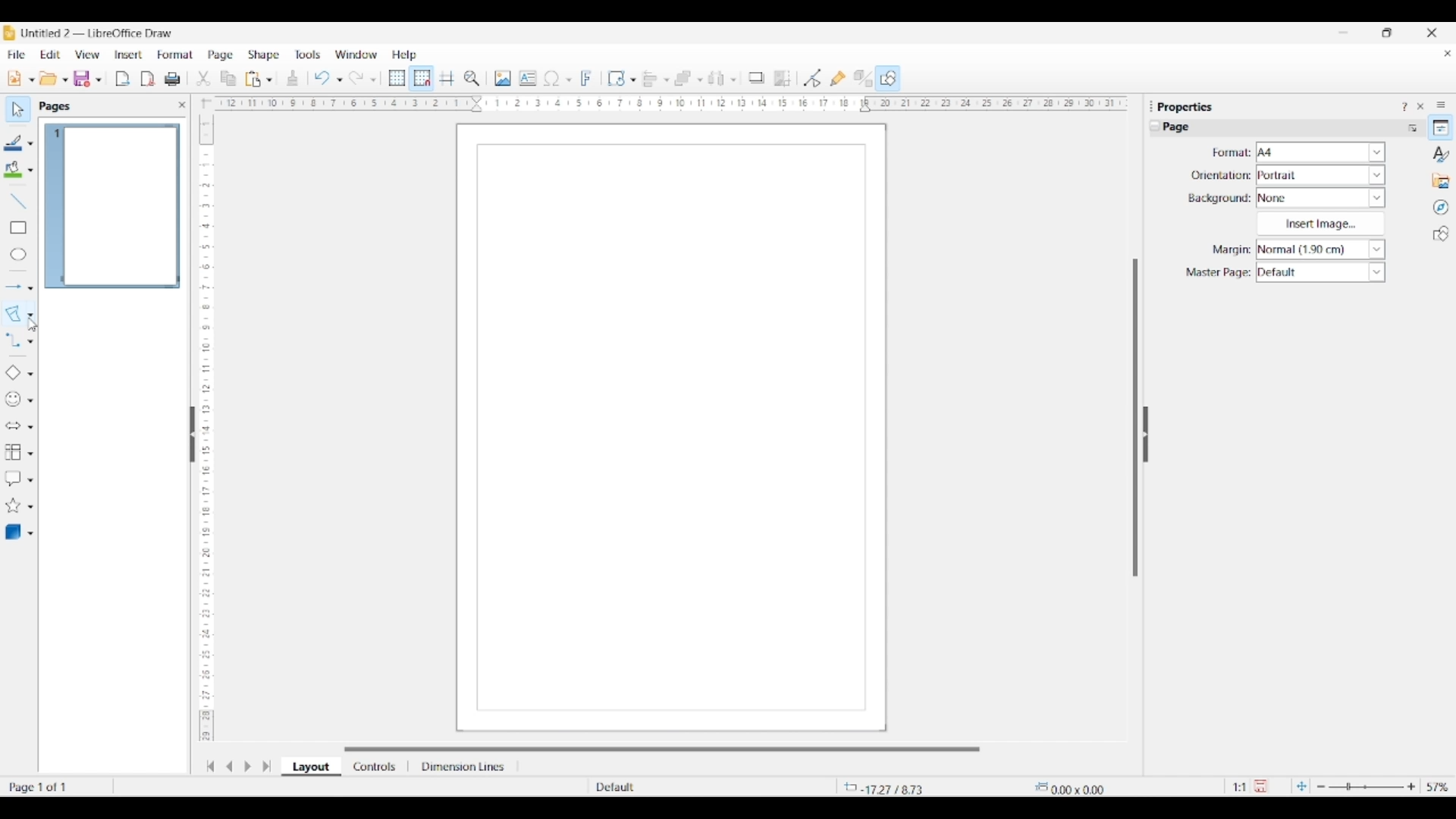 This screenshot has width=1456, height=819. I want to click on Master page options, so click(1320, 272).